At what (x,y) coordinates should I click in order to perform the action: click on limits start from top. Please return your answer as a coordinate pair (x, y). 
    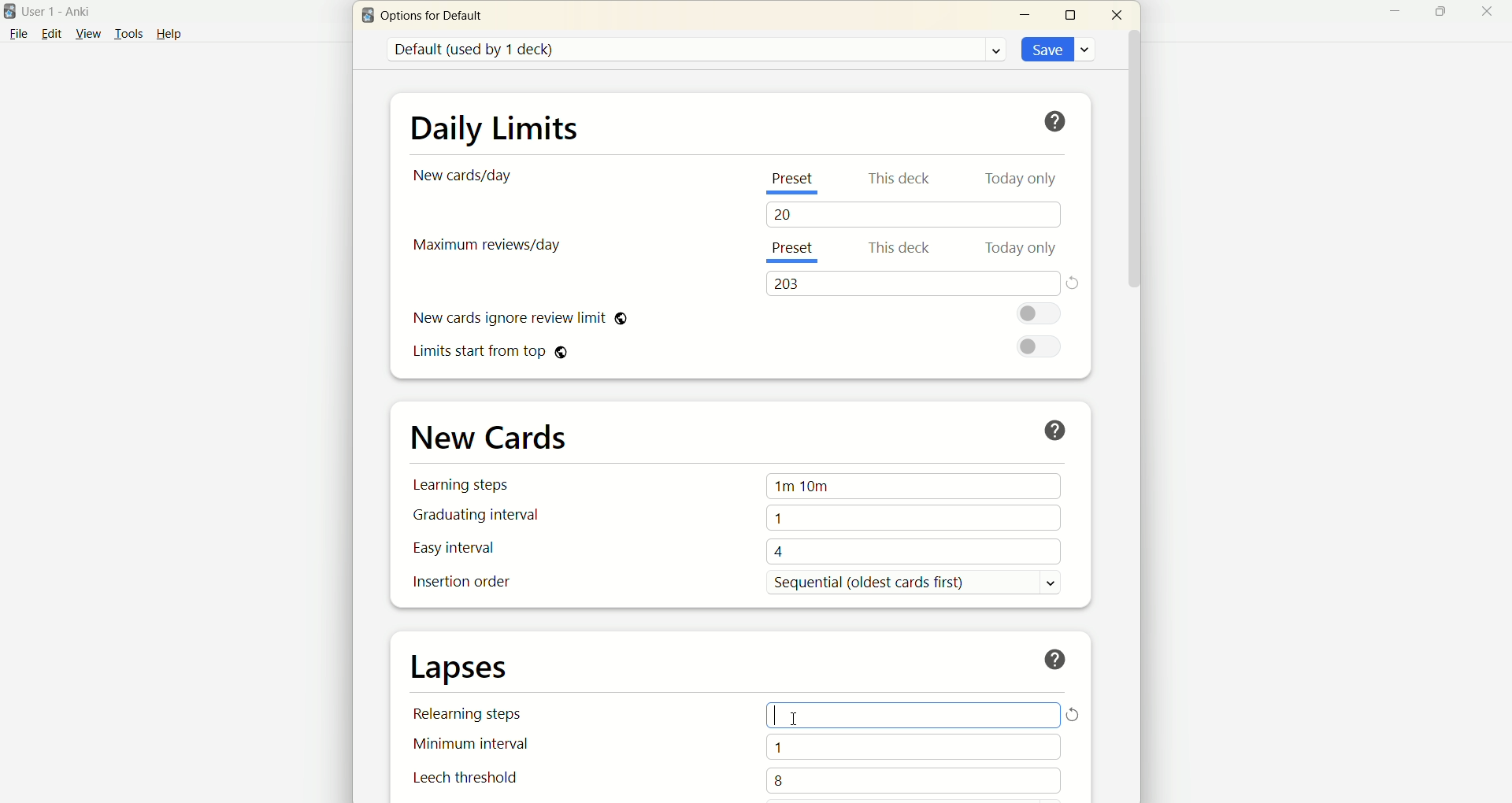
    Looking at the image, I should click on (493, 354).